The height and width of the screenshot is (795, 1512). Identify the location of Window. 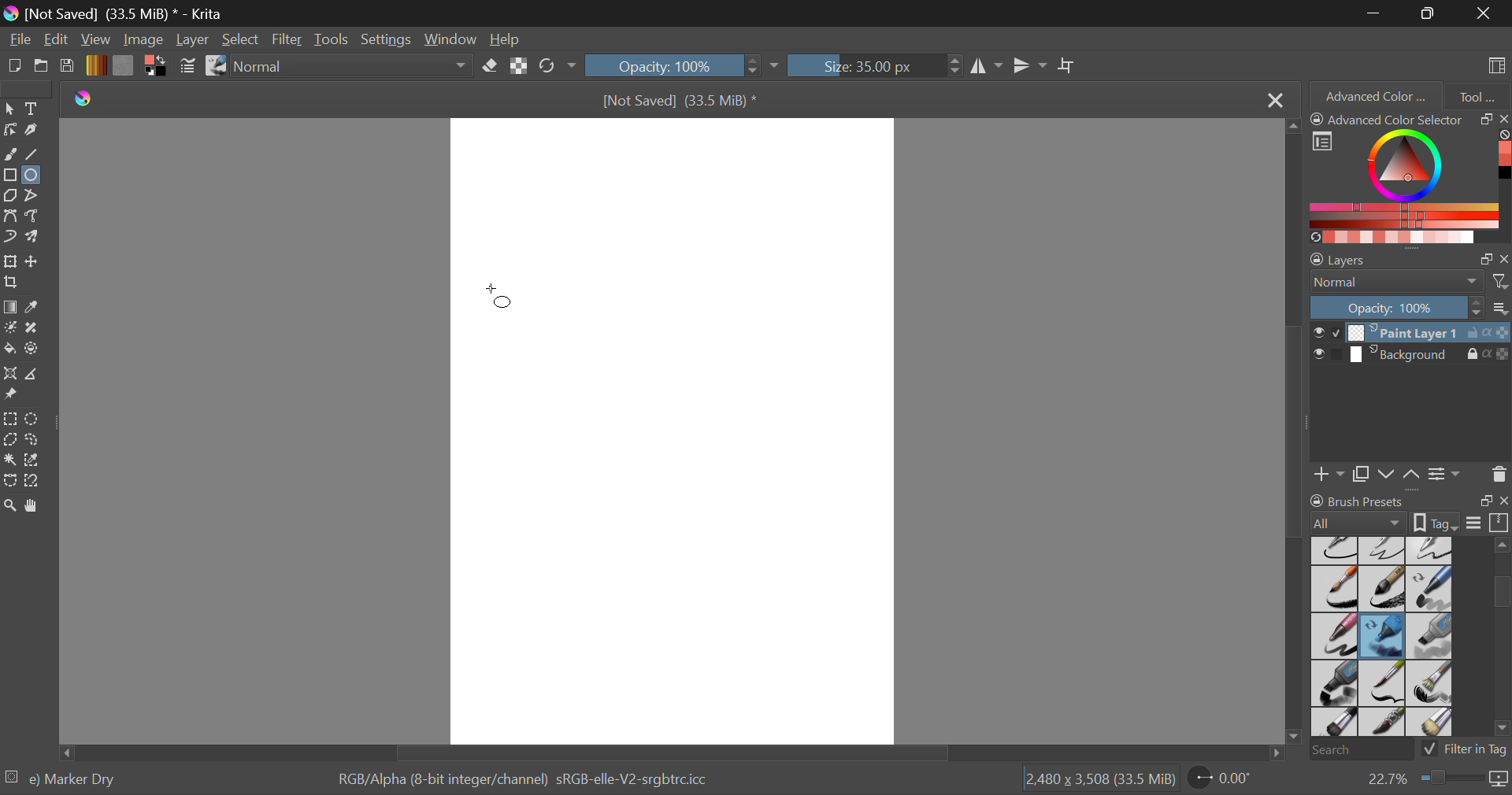
(455, 40).